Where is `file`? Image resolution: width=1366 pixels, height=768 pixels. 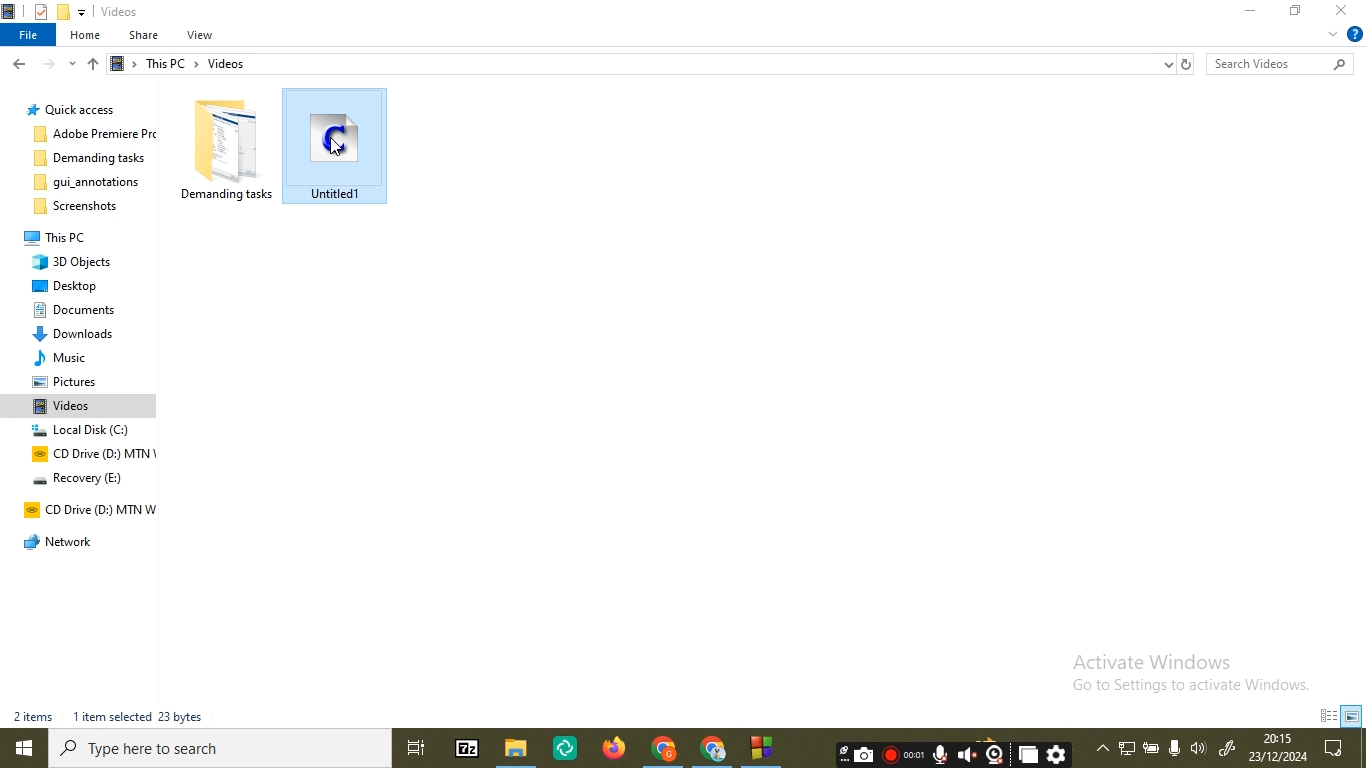
file is located at coordinates (30, 35).